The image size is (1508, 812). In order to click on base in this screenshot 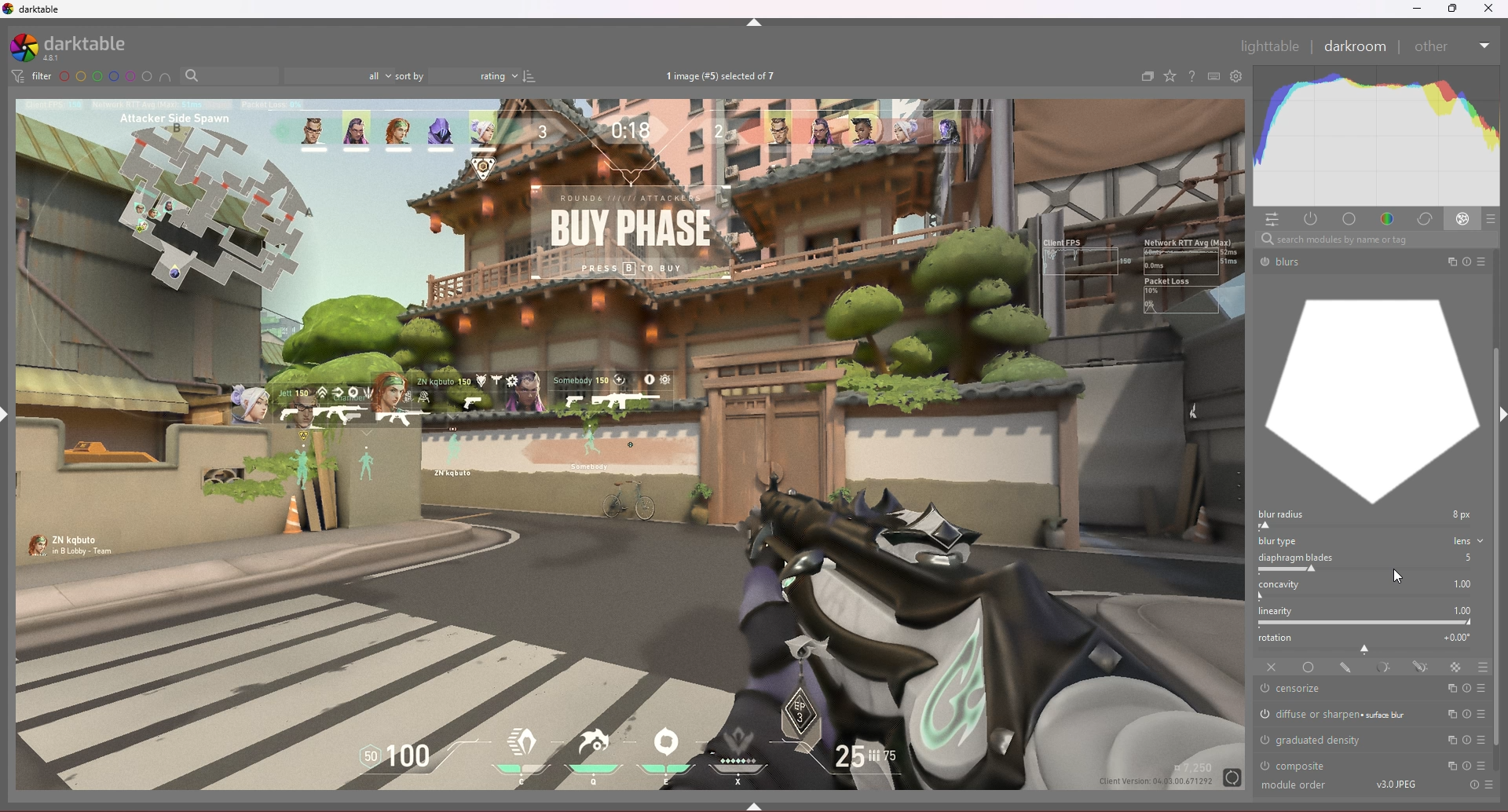, I will do `click(1352, 219)`.